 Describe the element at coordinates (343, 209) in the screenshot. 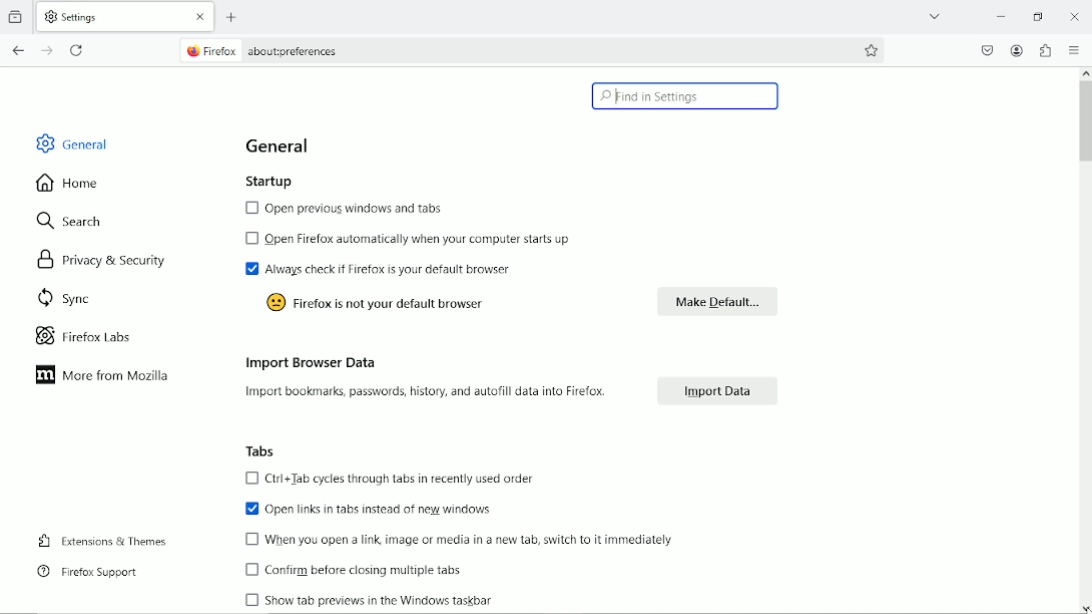

I see `Open previous windows and tabs` at that location.